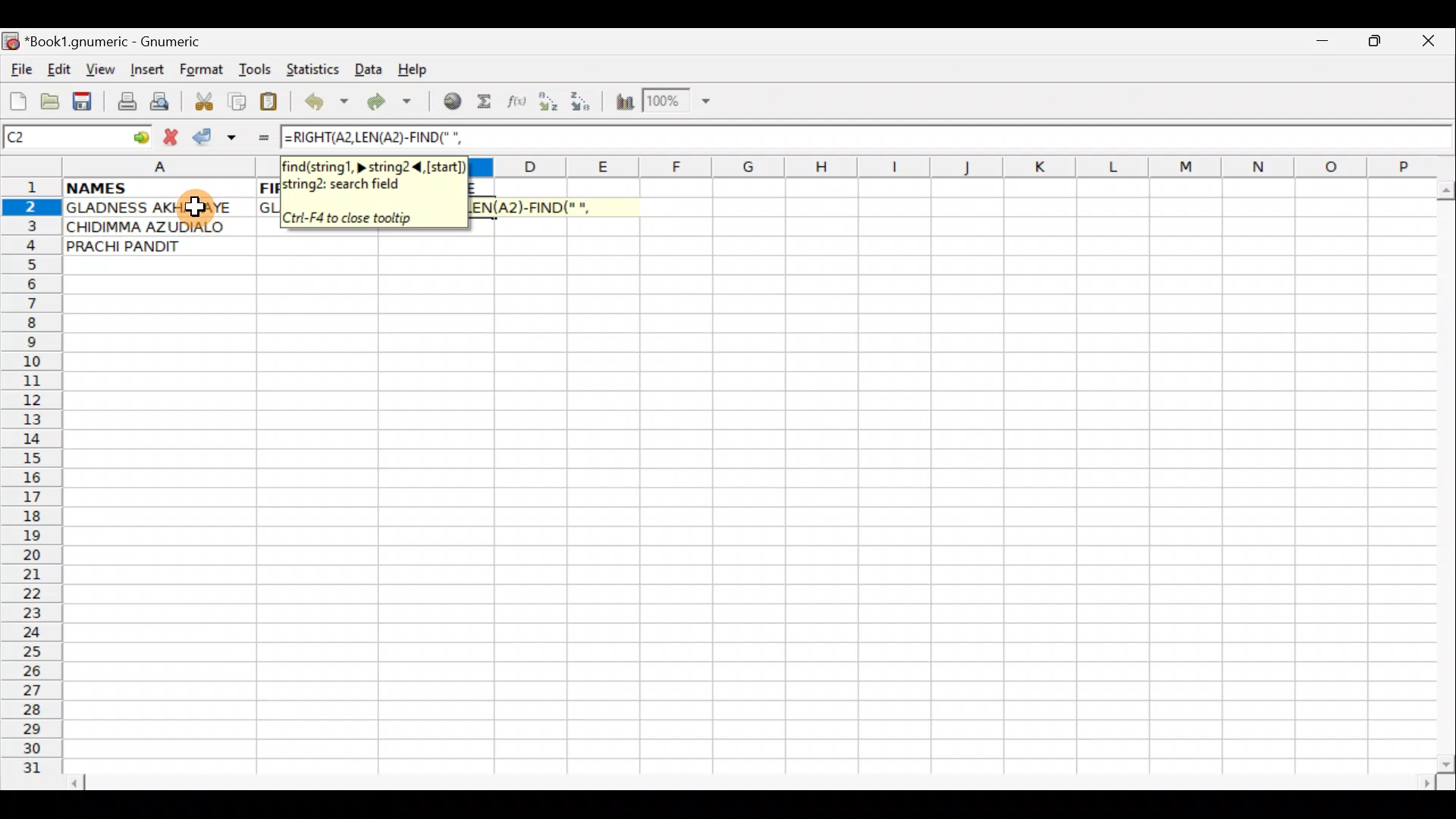 This screenshot has width=1456, height=819. Describe the element at coordinates (127, 42) in the screenshot. I see `*Book1.gnumeric - Gnumeric` at that location.